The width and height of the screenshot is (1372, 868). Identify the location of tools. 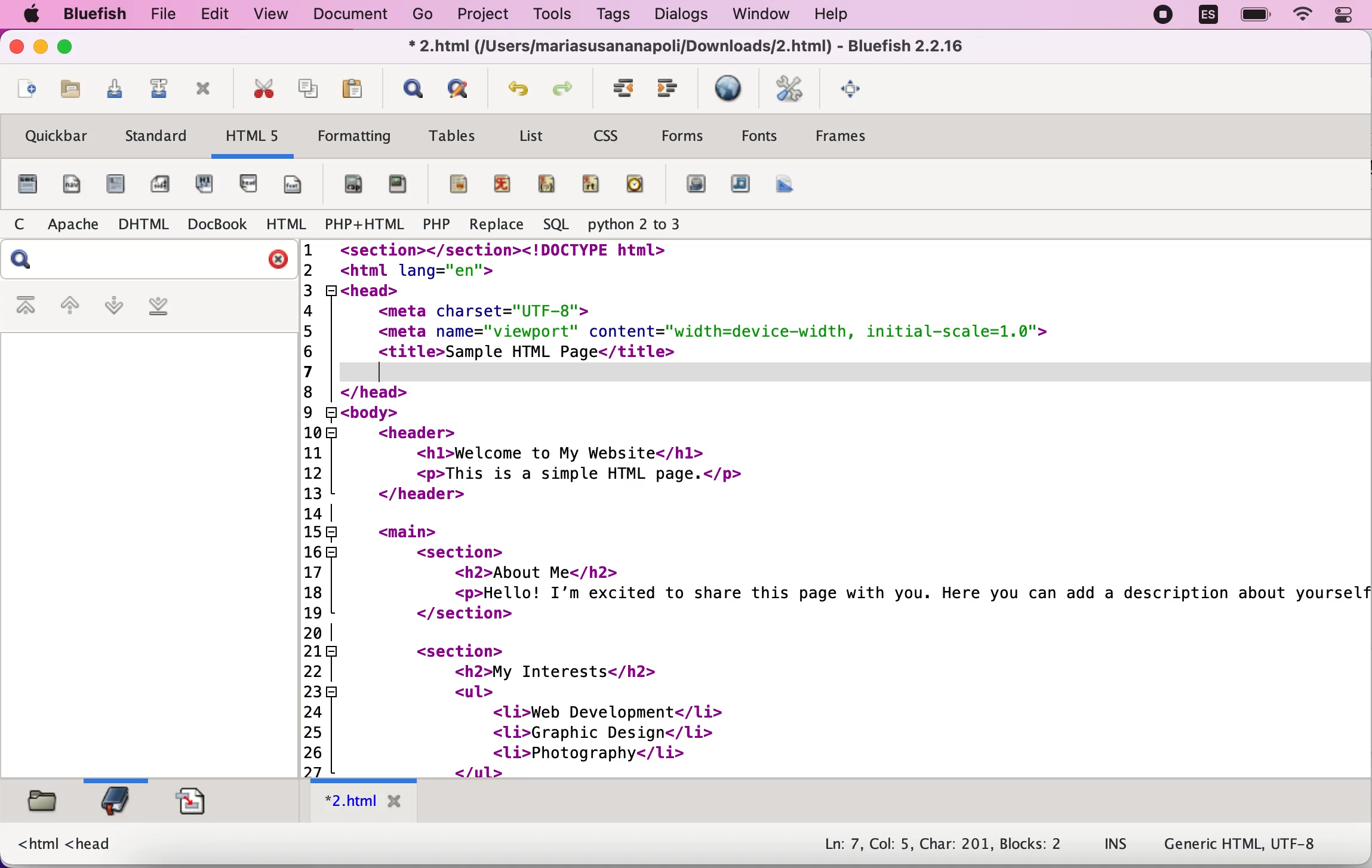
(556, 14).